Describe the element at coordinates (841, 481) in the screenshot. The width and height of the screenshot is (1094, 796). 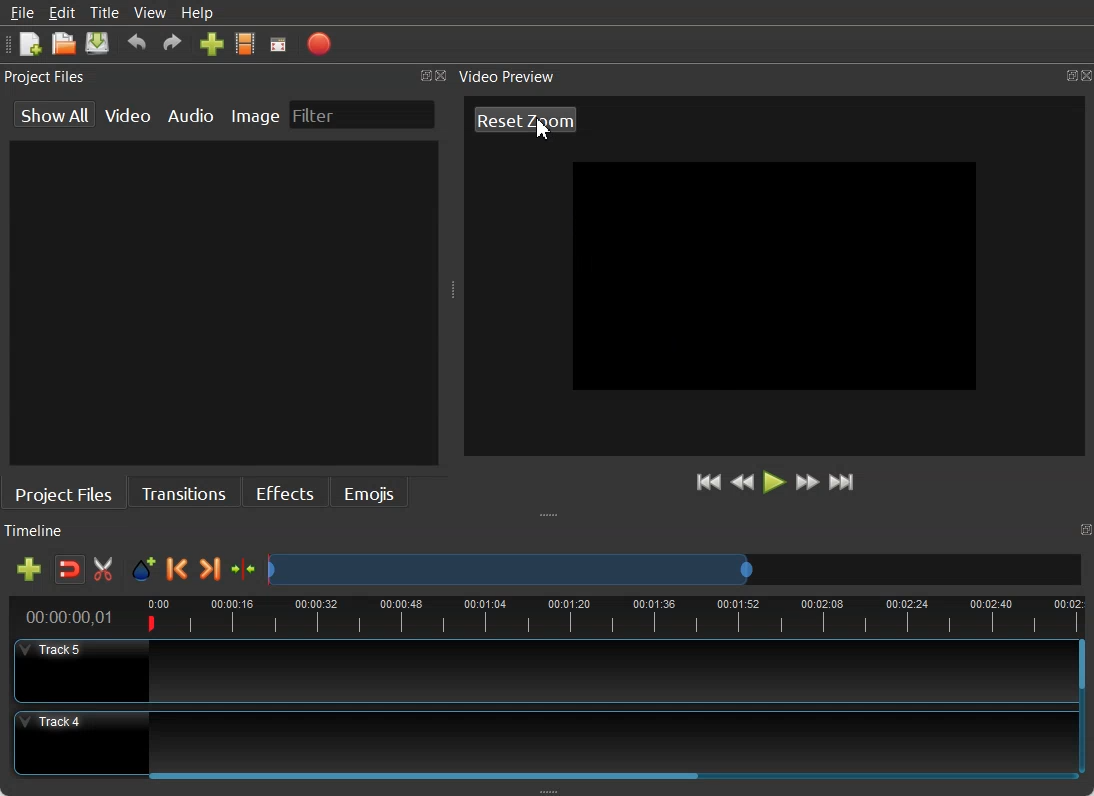
I see `Jump to End` at that location.